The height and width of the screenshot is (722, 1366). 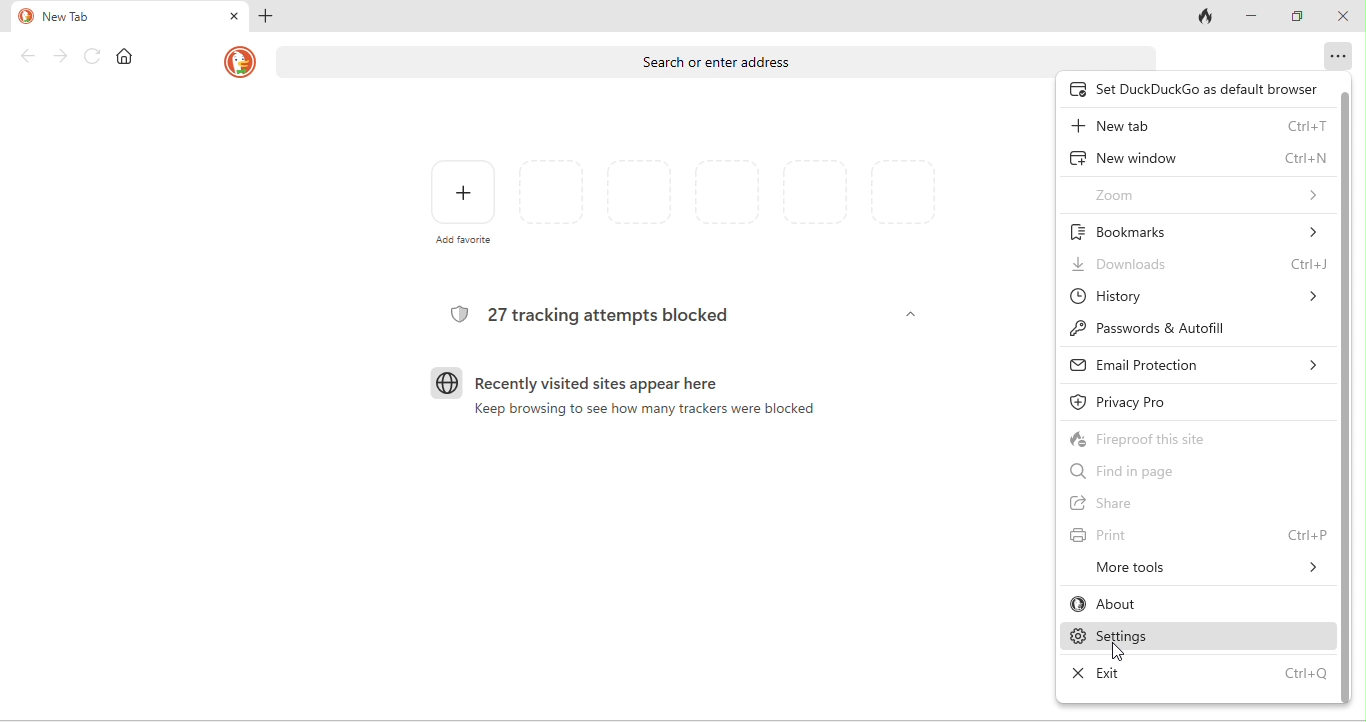 What do you see at coordinates (1296, 16) in the screenshot?
I see `maximize` at bounding box center [1296, 16].